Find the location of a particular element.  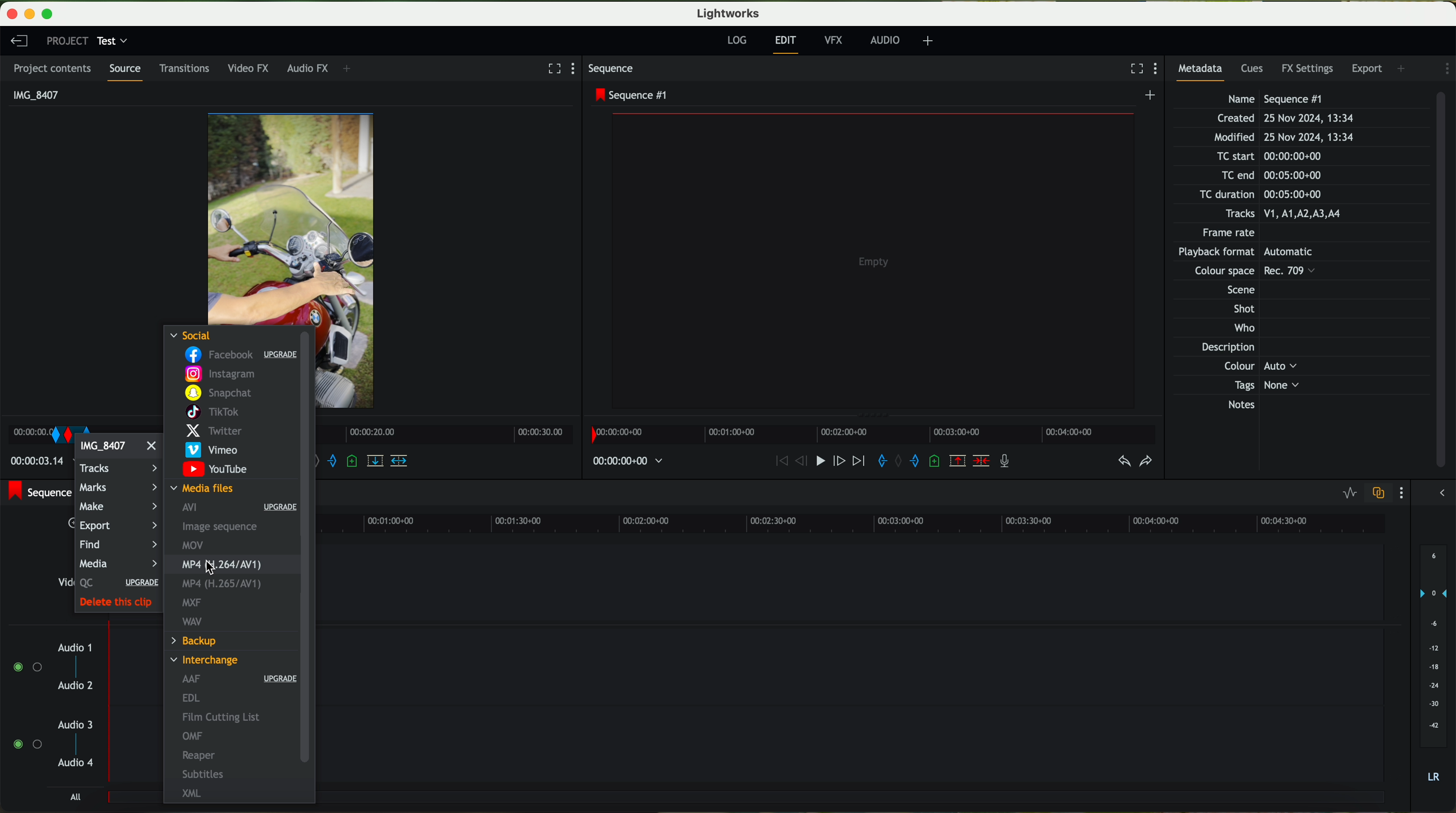

show settings menu is located at coordinates (578, 69).